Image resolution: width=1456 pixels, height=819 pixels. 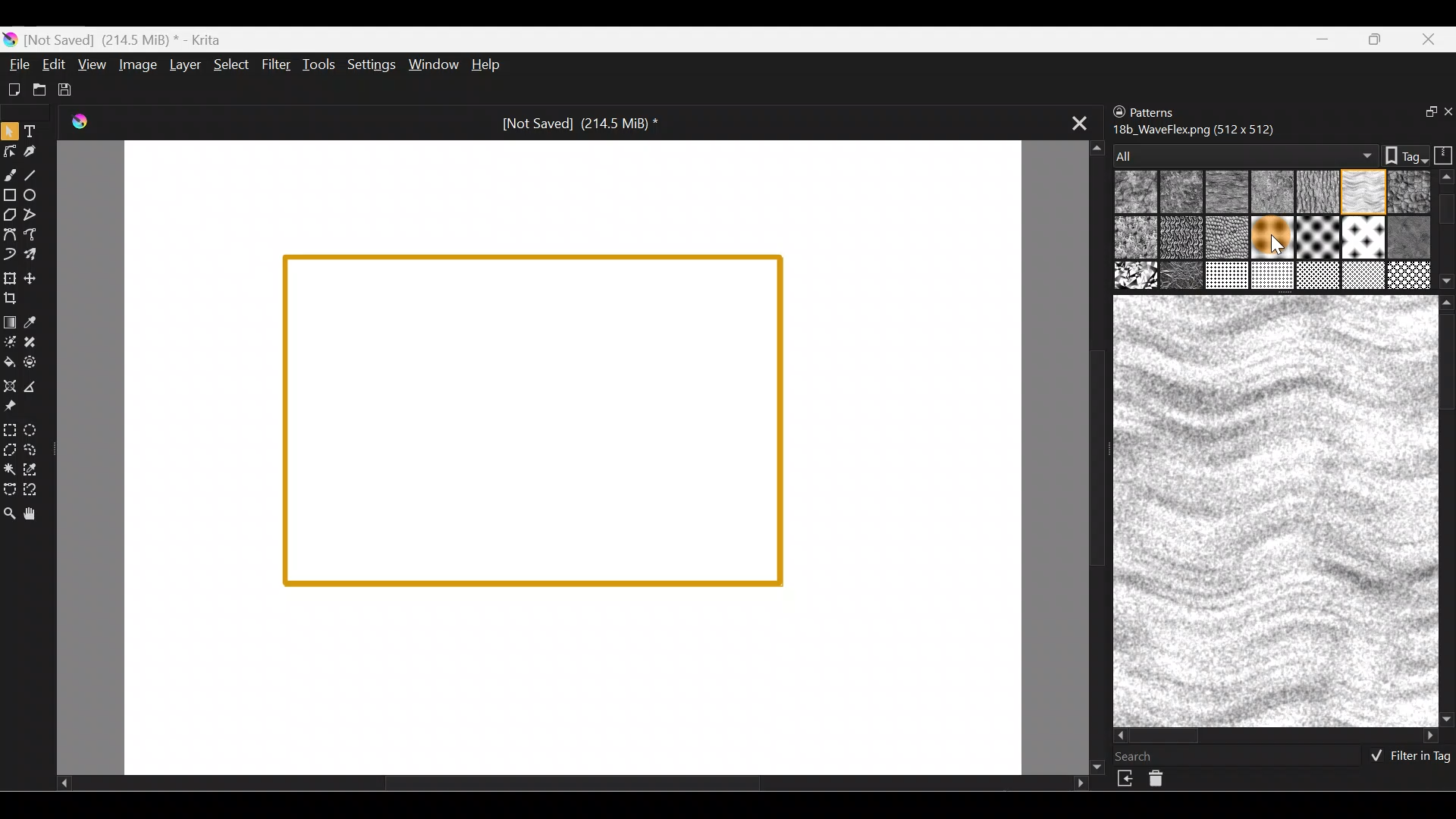 What do you see at coordinates (136, 64) in the screenshot?
I see `Image` at bounding box center [136, 64].